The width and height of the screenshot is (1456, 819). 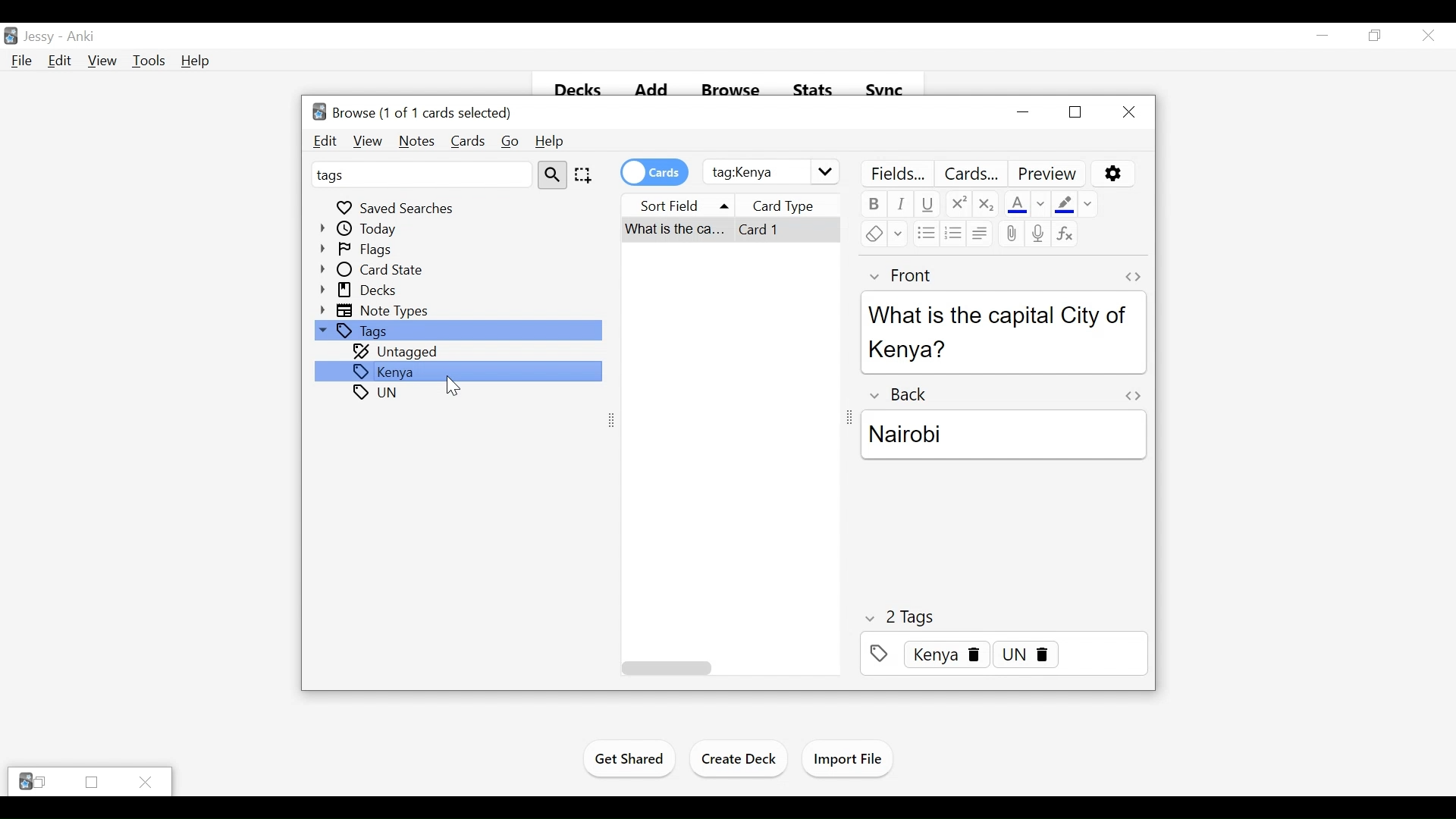 What do you see at coordinates (1426, 36) in the screenshot?
I see `Close` at bounding box center [1426, 36].